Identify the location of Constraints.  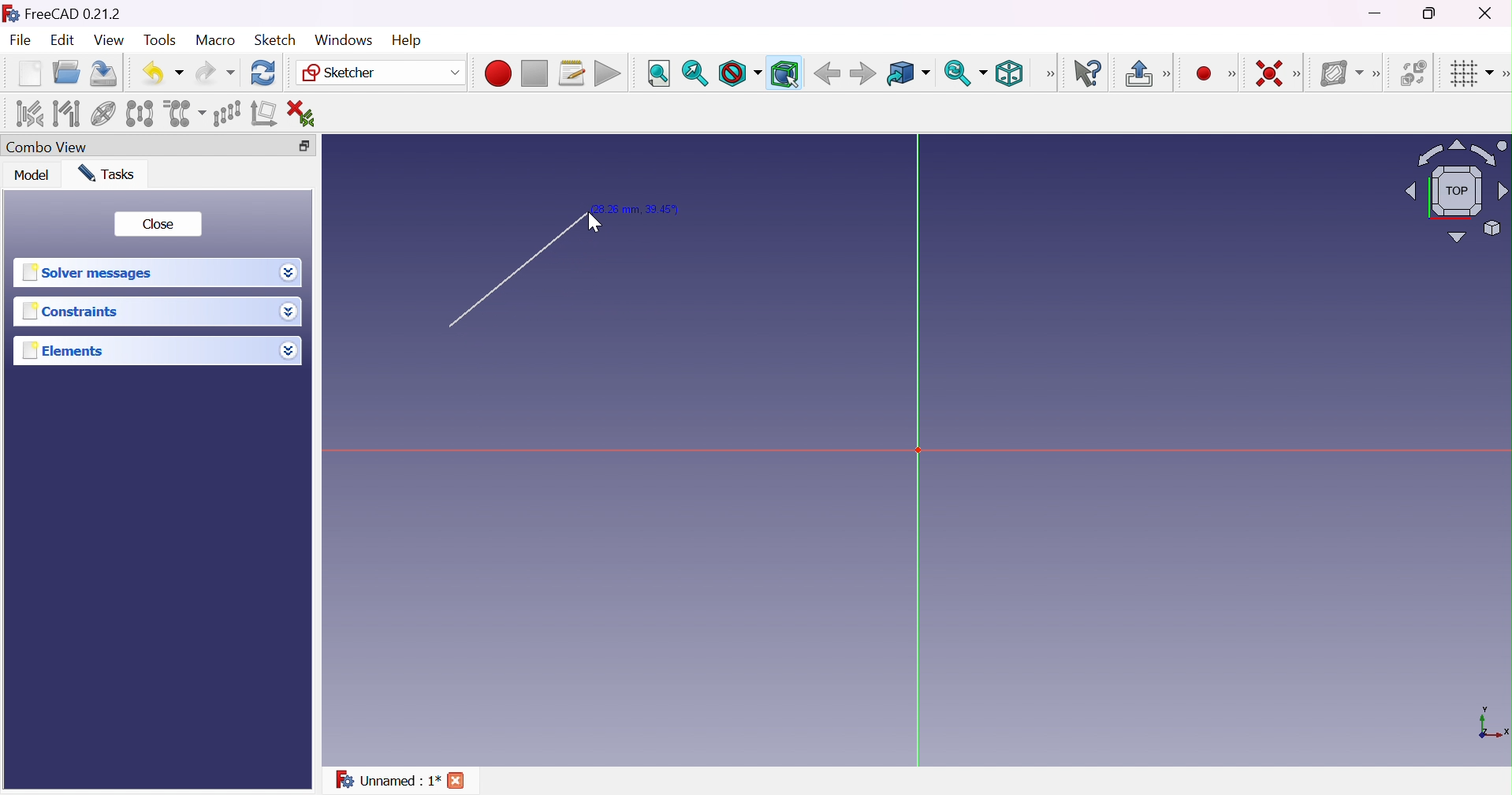
(70, 313).